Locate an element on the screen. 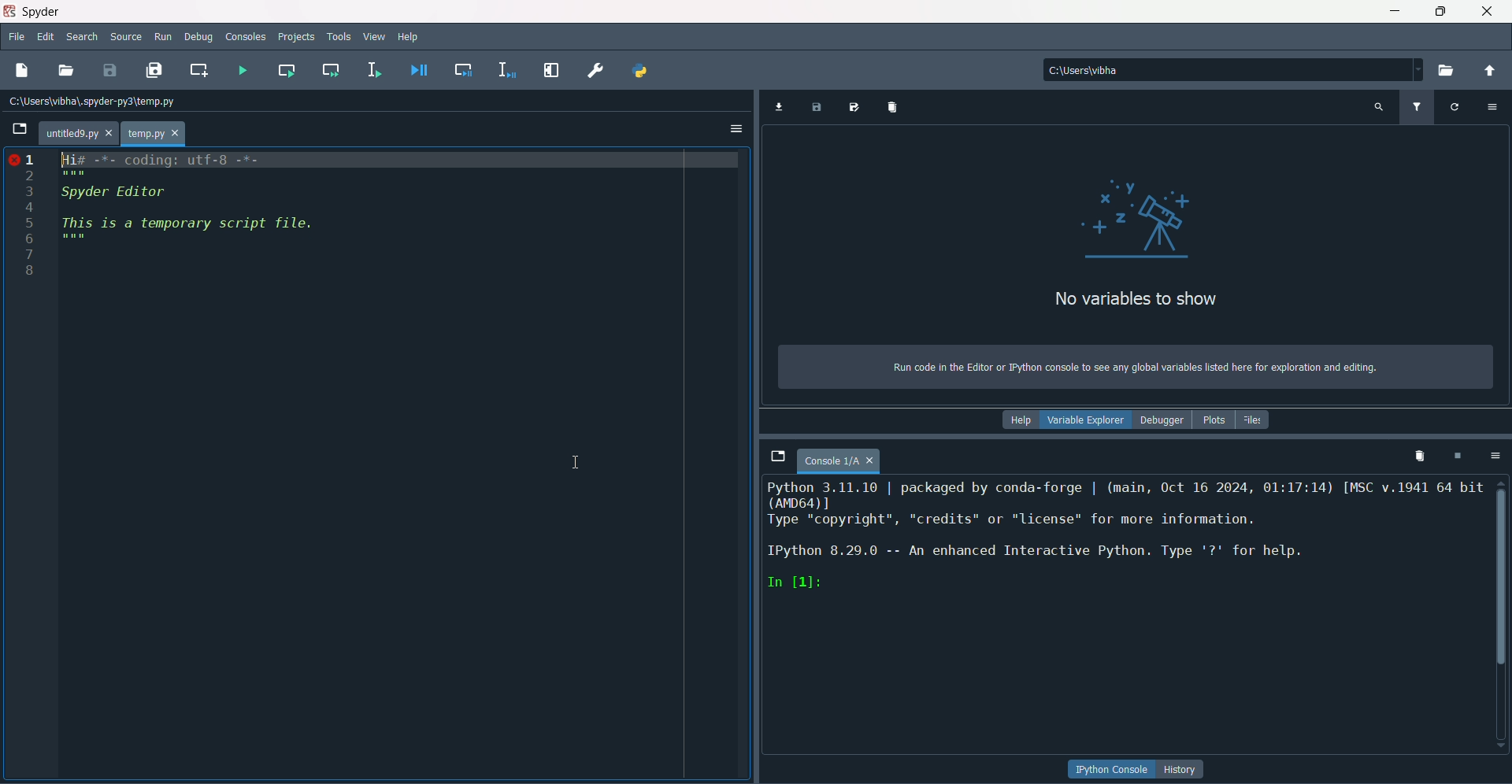 This screenshot has width=1512, height=784. button is located at coordinates (1113, 768).